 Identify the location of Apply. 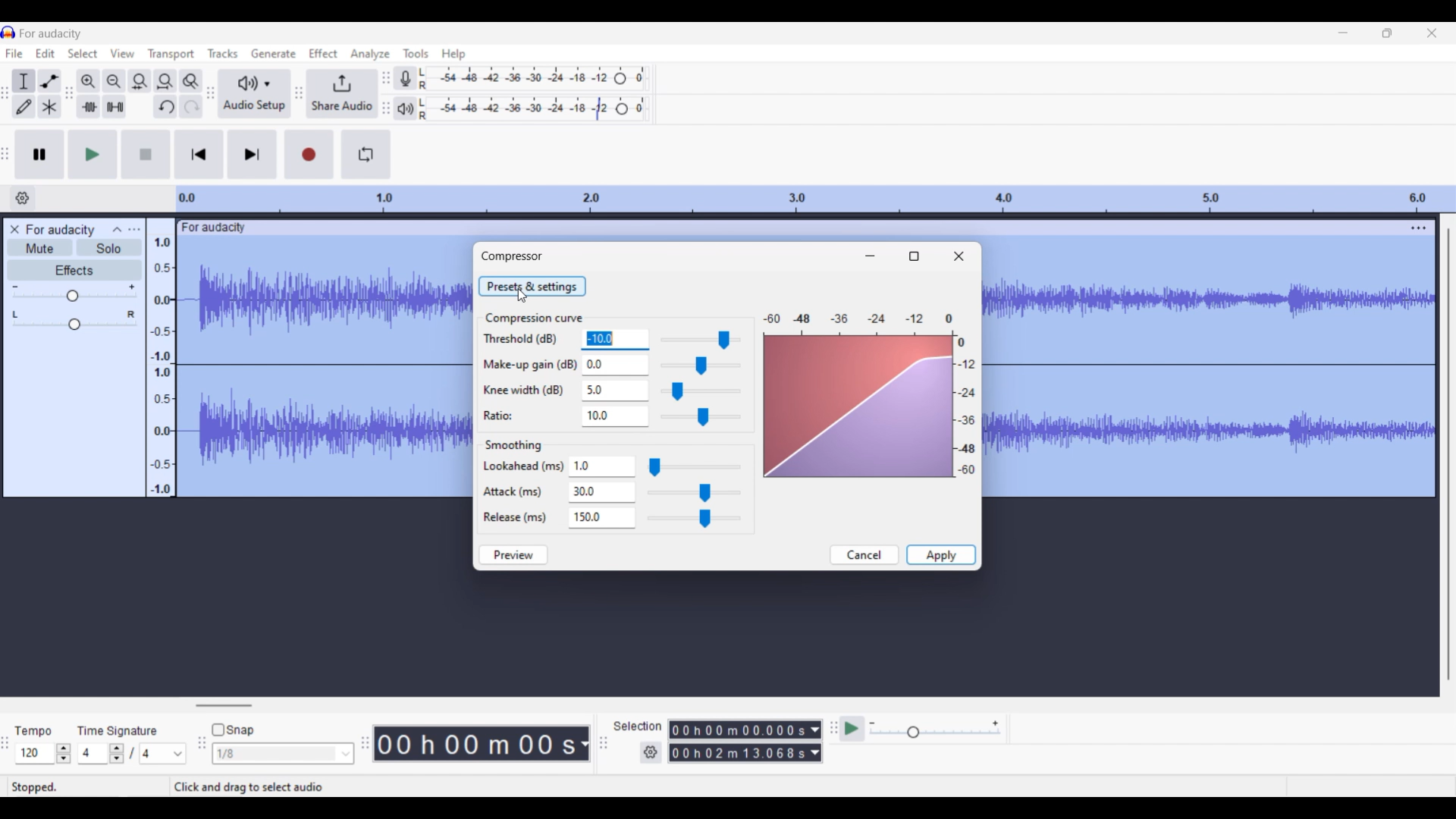
(941, 554).